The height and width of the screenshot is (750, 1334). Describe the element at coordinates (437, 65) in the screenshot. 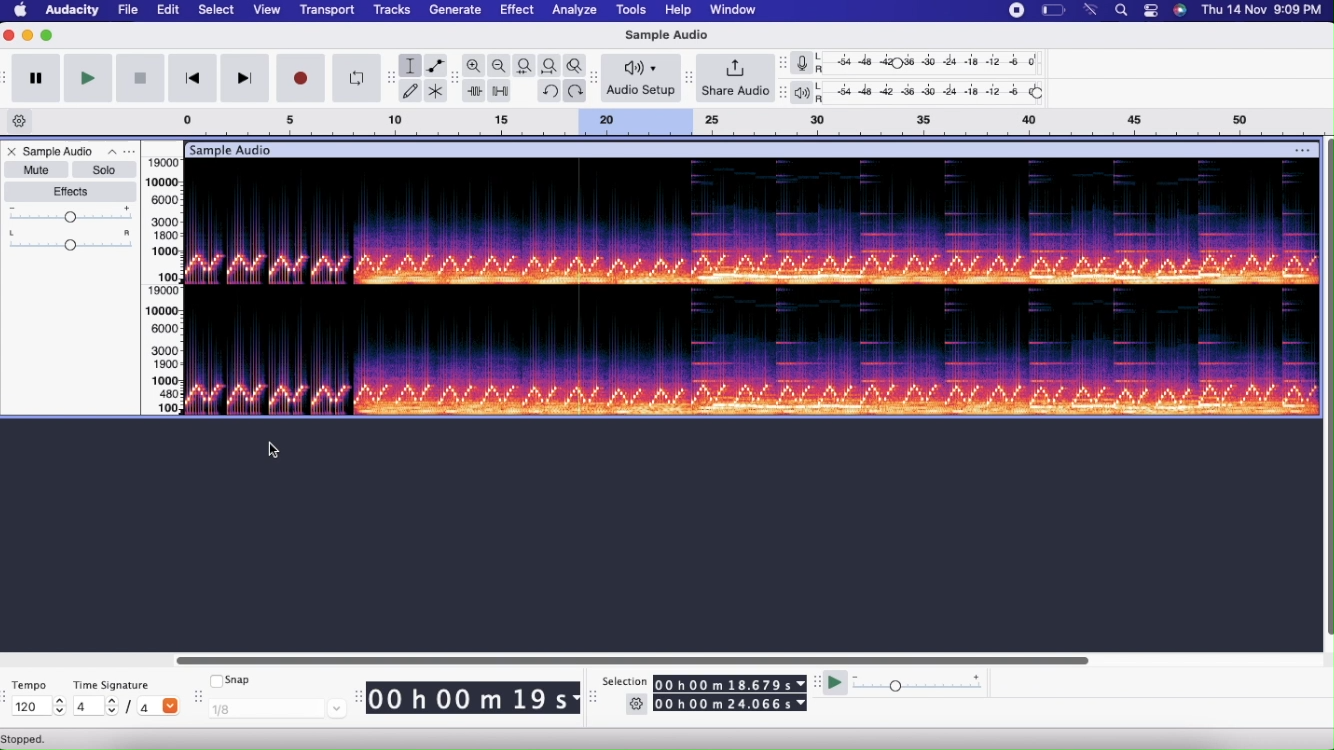

I see `Envelope tool` at that location.